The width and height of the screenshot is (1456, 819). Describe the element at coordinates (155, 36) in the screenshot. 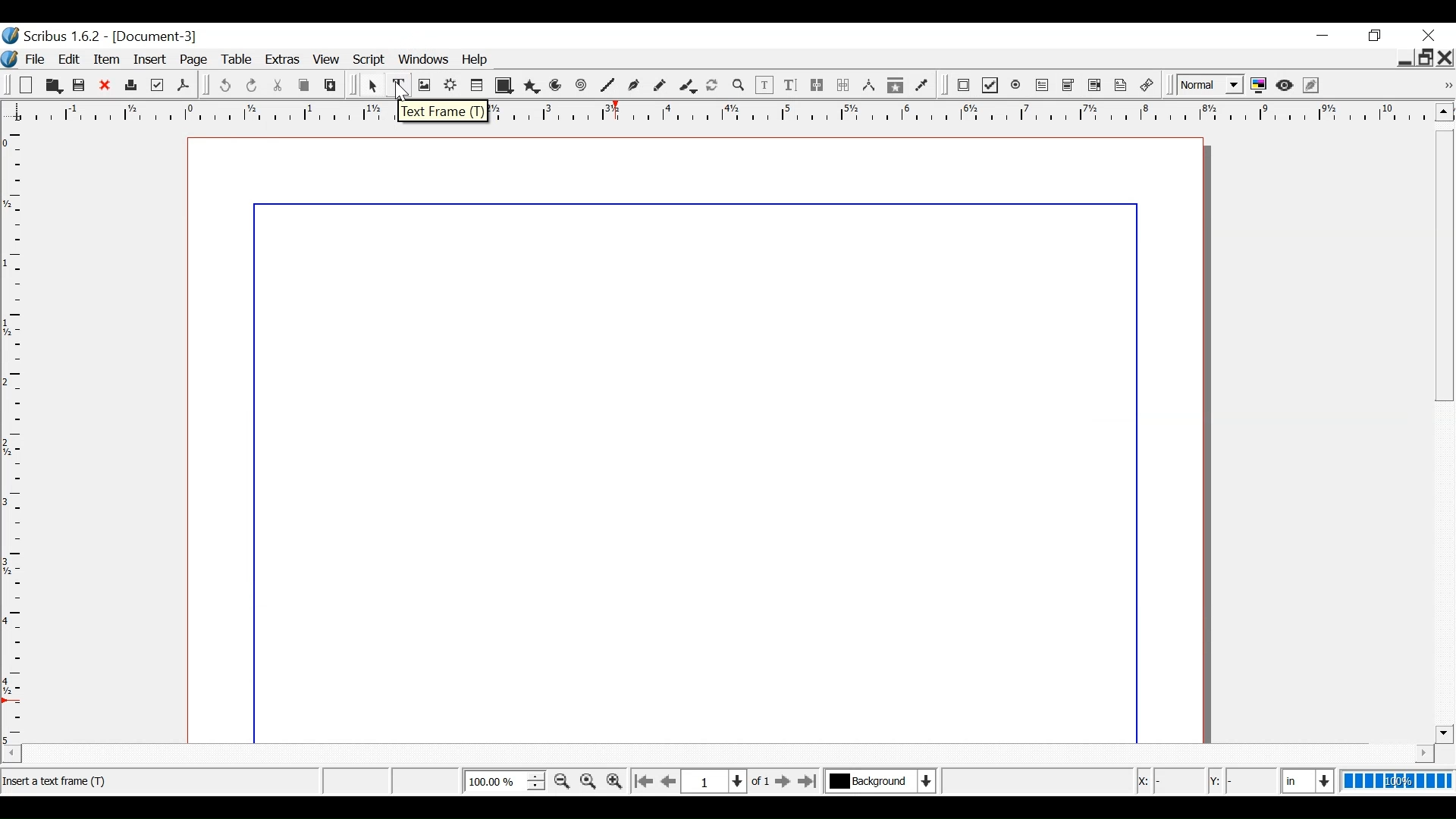

I see `Document` at that location.